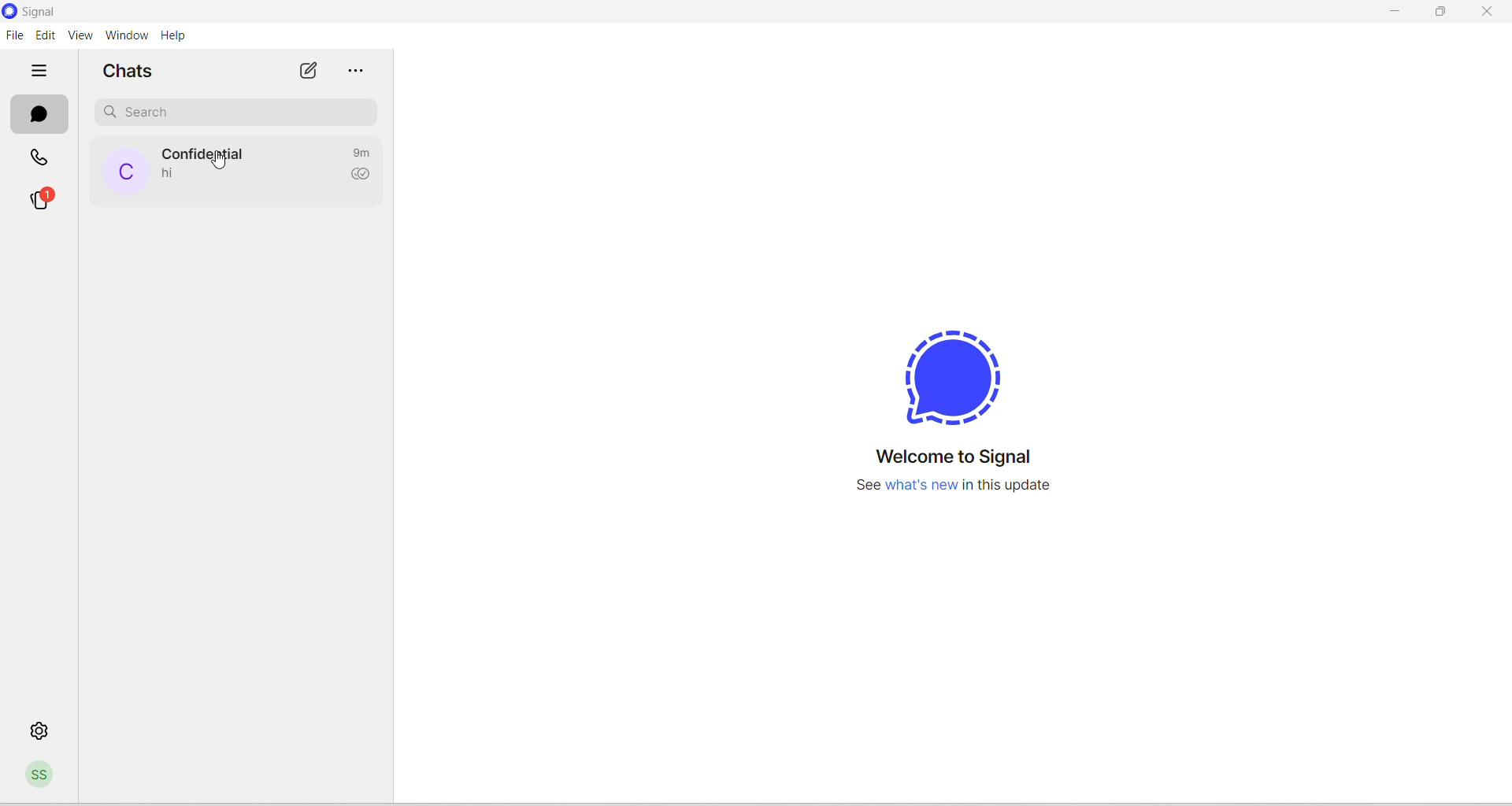 The image size is (1512, 806). I want to click on search chat, so click(235, 111).